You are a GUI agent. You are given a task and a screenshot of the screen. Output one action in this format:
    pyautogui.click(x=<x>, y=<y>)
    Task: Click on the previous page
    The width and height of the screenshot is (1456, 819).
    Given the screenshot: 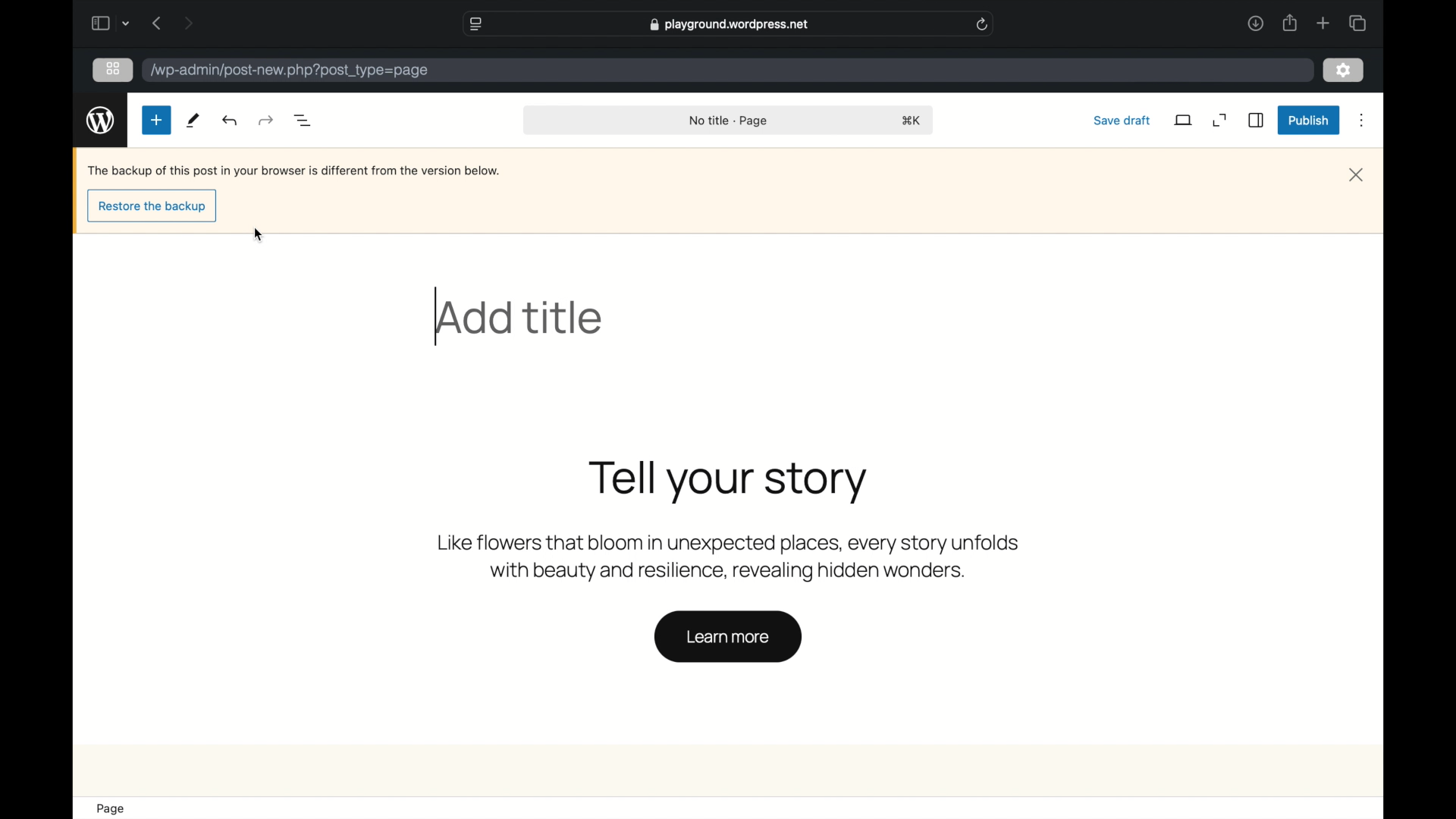 What is the action you would take?
    pyautogui.click(x=155, y=23)
    